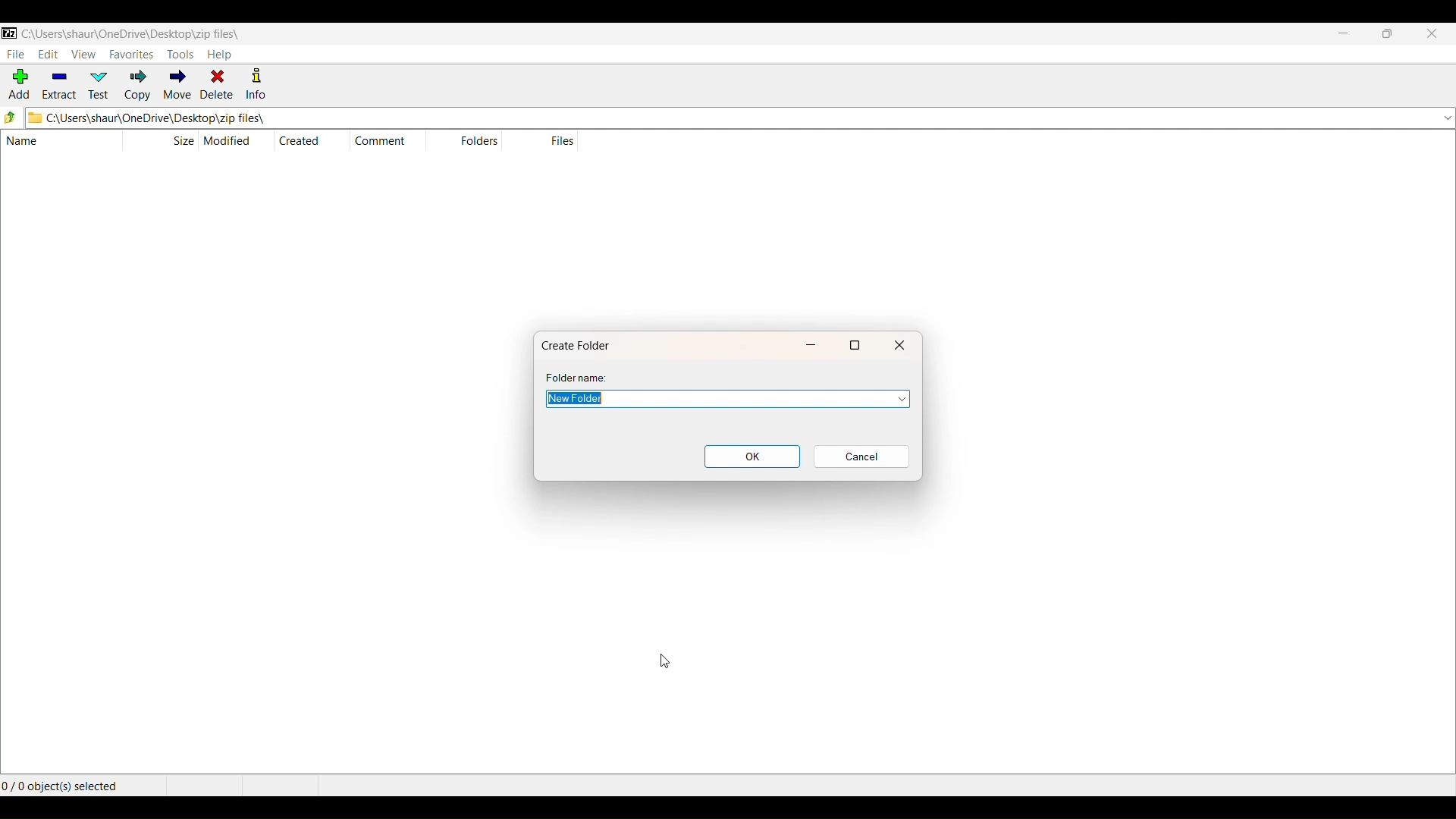 The image size is (1456, 819). What do you see at coordinates (48, 55) in the screenshot?
I see `EDIT` at bounding box center [48, 55].